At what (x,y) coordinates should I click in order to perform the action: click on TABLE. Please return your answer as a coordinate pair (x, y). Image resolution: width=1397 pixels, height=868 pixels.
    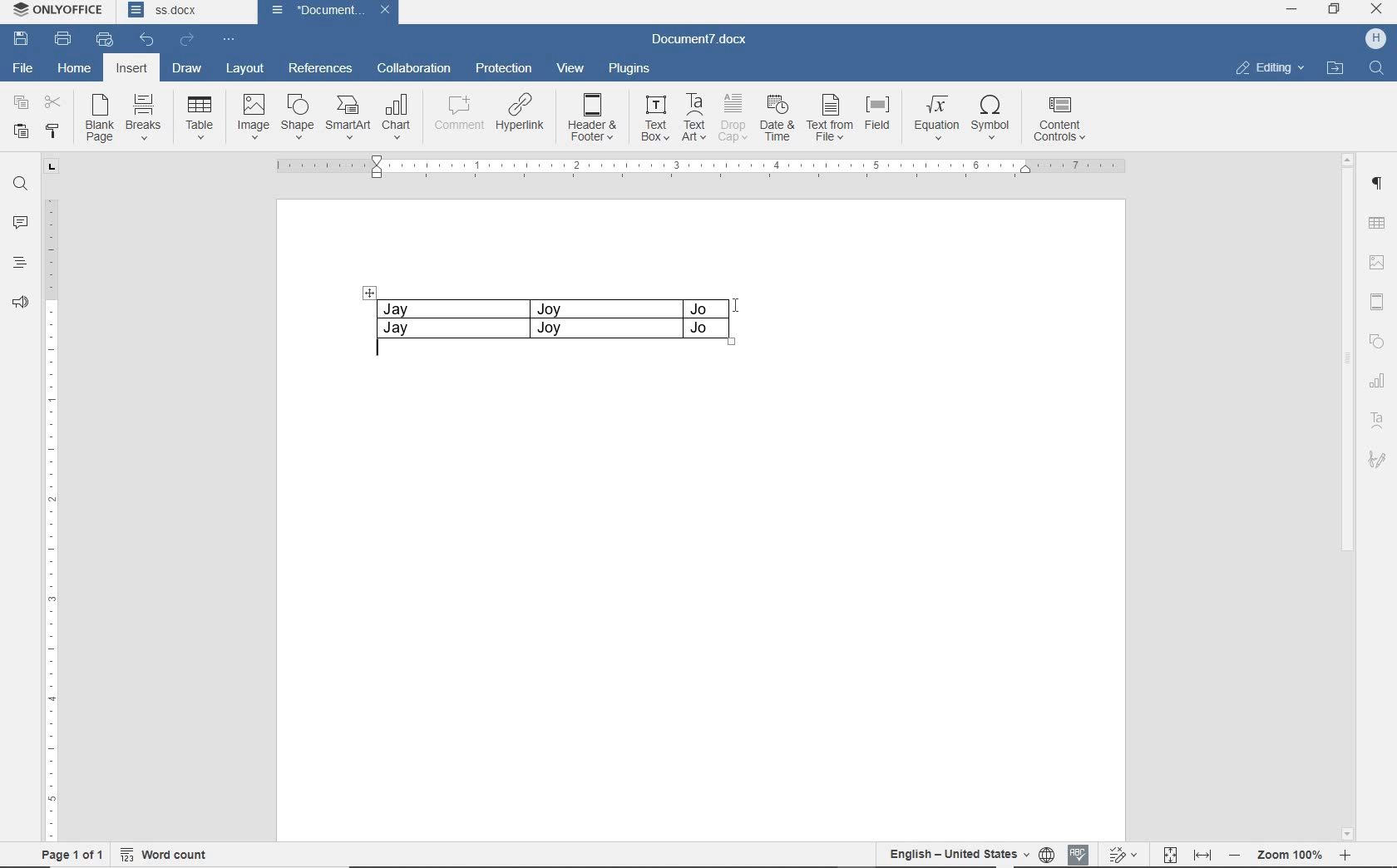
    Looking at the image, I should click on (200, 118).